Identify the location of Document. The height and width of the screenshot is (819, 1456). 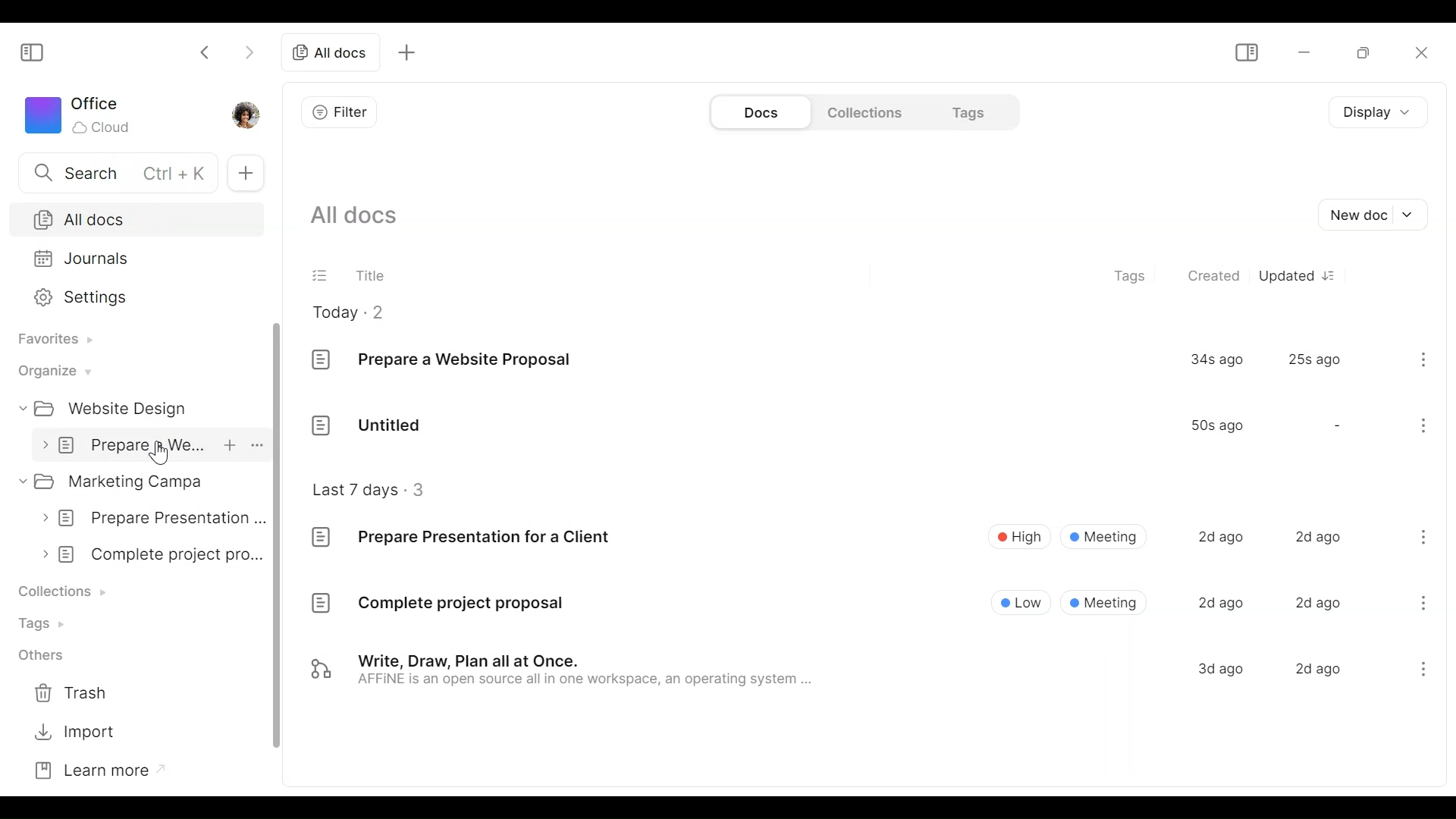
(868, 670).